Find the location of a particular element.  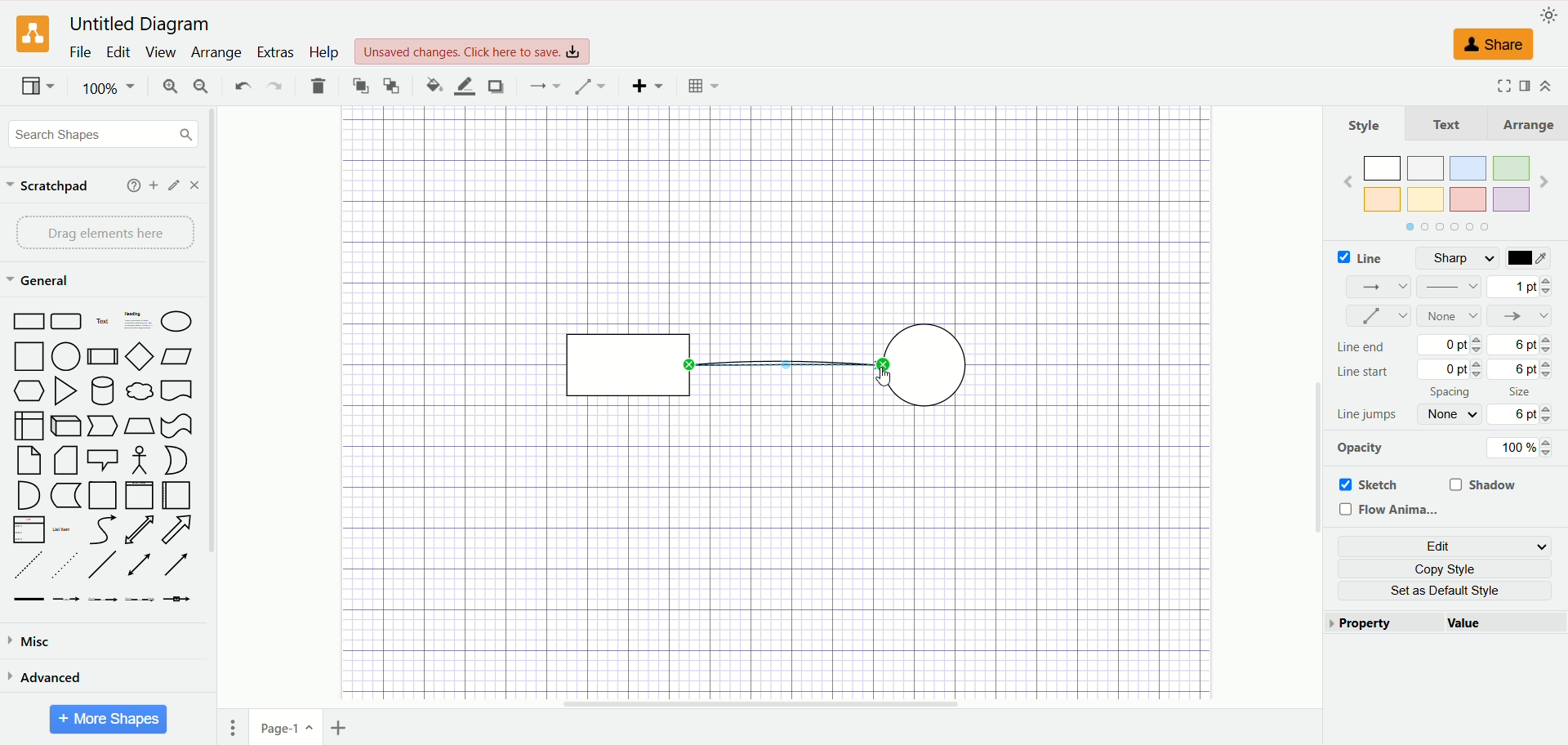

Connector with 3 Labels is located at coordinates (141, 603).